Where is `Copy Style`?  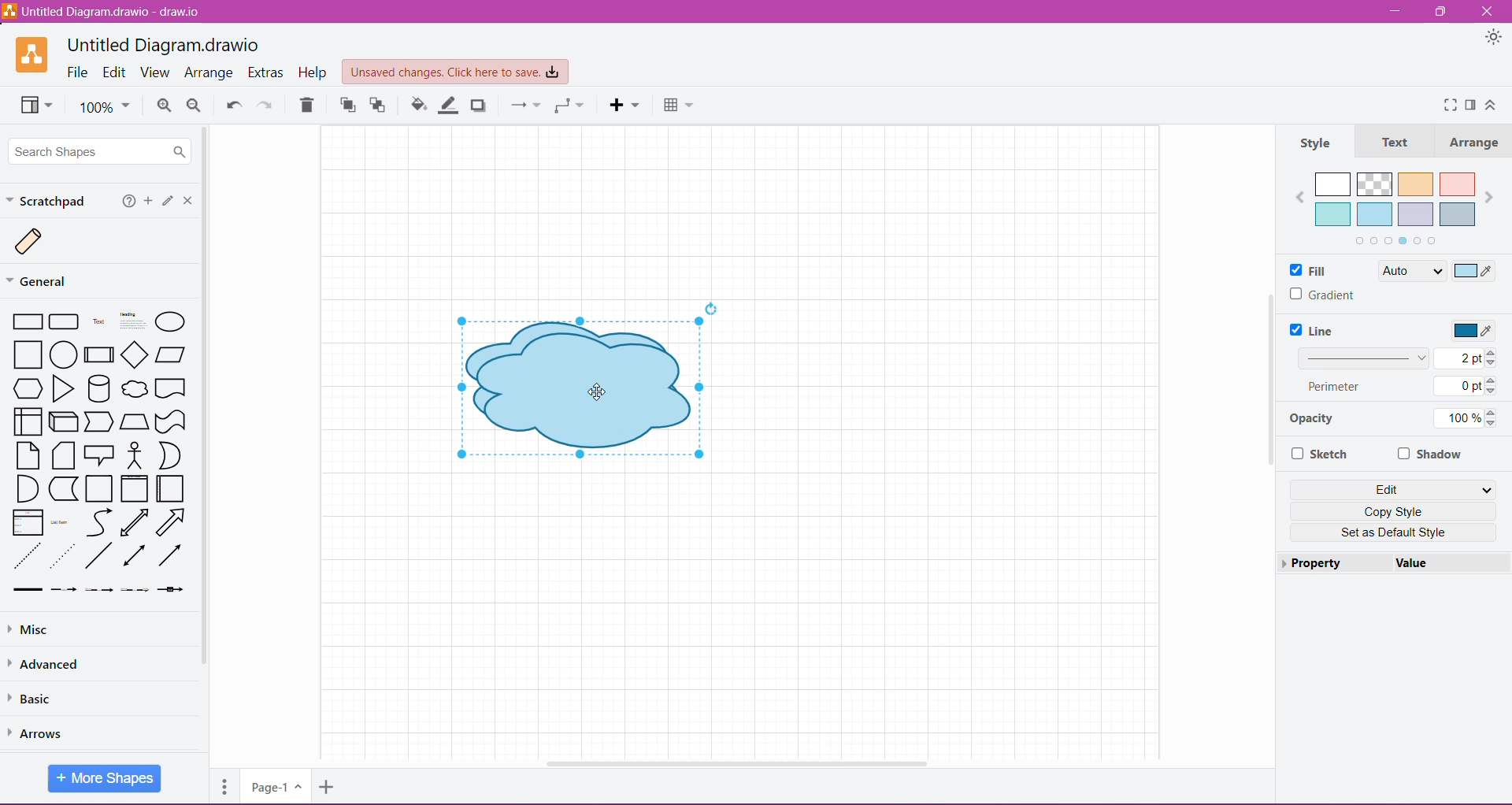 Copy Style is located at coordinates (1395, 512).